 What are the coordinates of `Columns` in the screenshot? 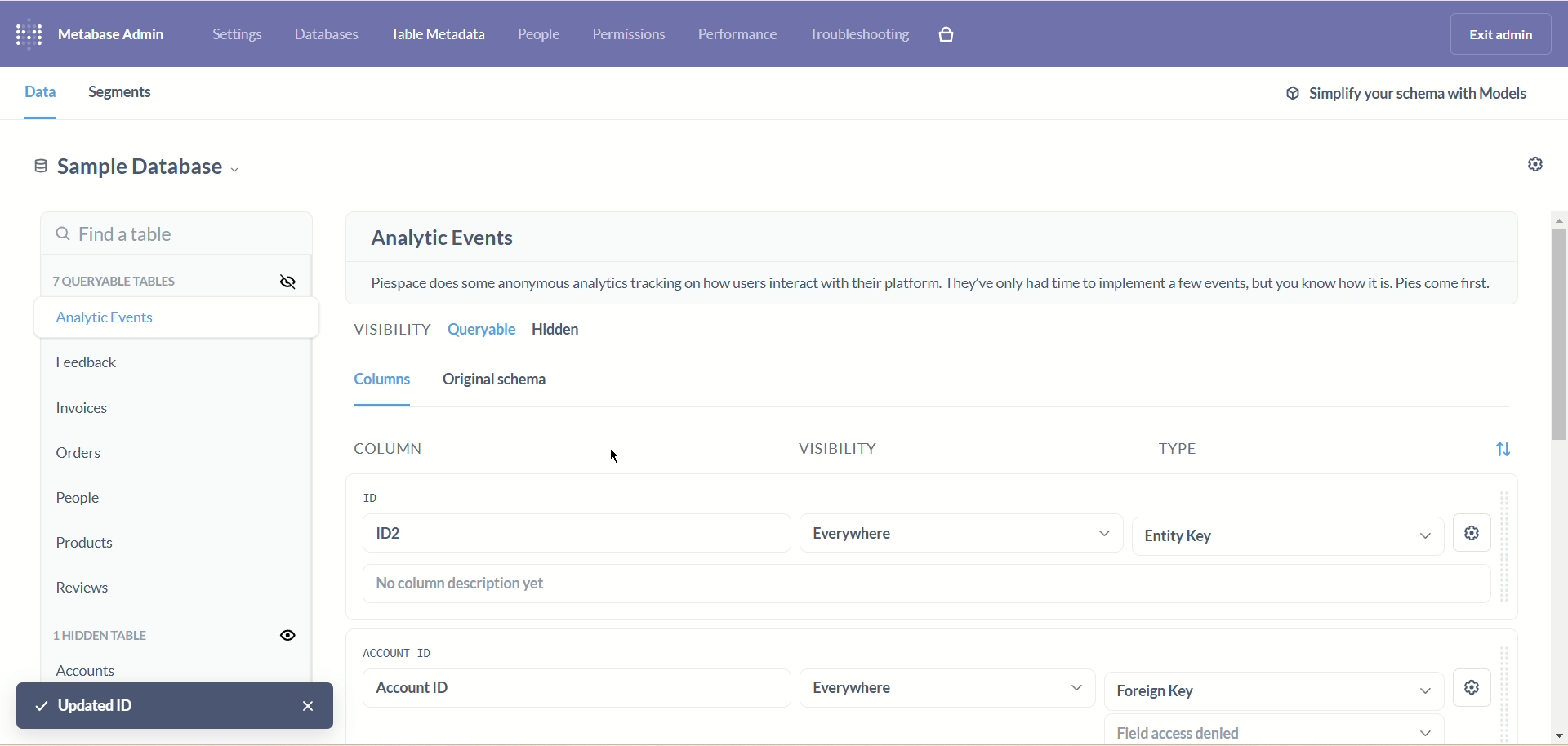 It's located at (385, 387).